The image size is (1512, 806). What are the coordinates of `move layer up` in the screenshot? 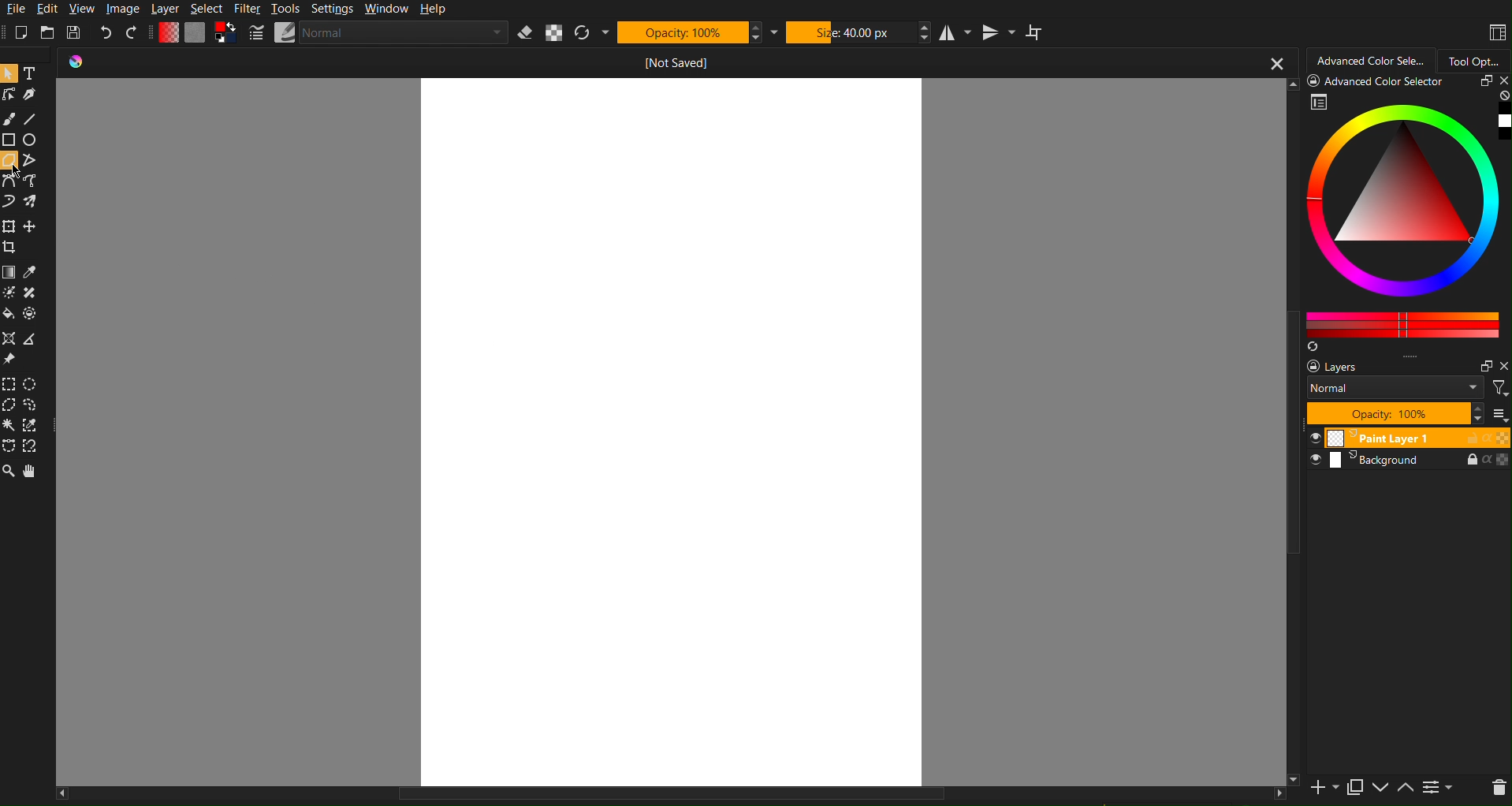 It's located at (1406, 791).